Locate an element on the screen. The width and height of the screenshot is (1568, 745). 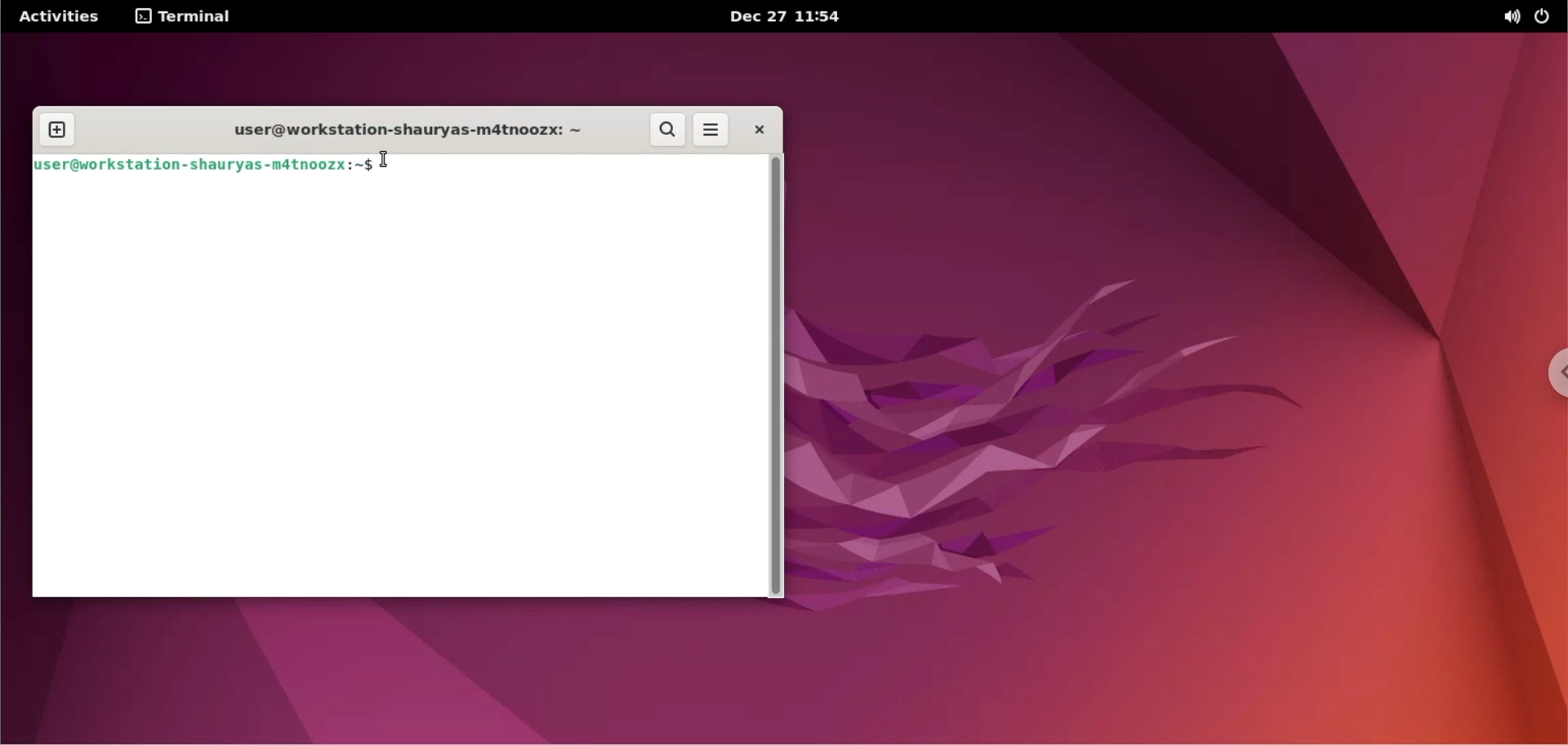
close is located at coordinates (760, 129).